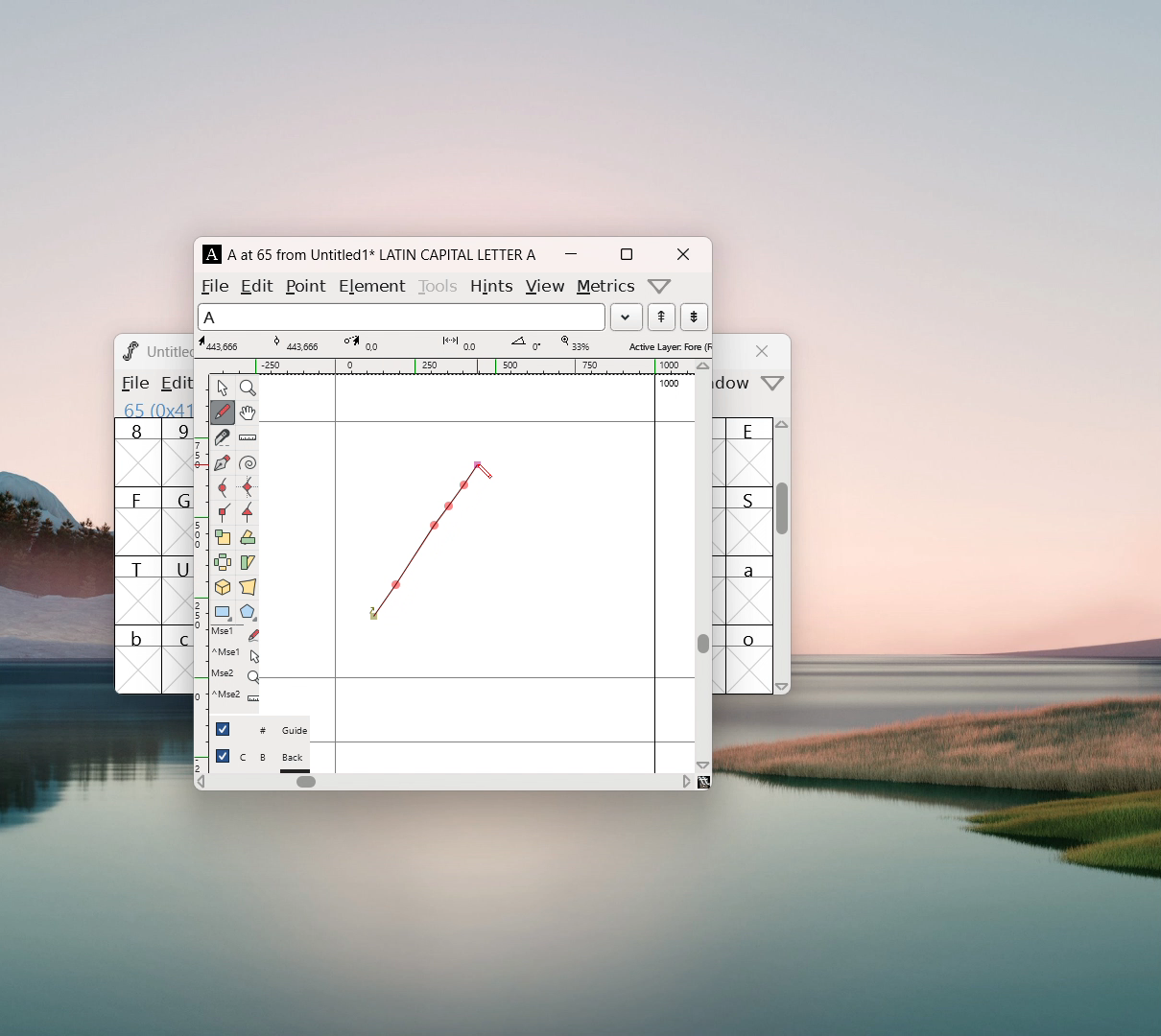  What do you see at coordinates (137, 453) in the screenshot?
I see `8` at bounding box center [137, 453].